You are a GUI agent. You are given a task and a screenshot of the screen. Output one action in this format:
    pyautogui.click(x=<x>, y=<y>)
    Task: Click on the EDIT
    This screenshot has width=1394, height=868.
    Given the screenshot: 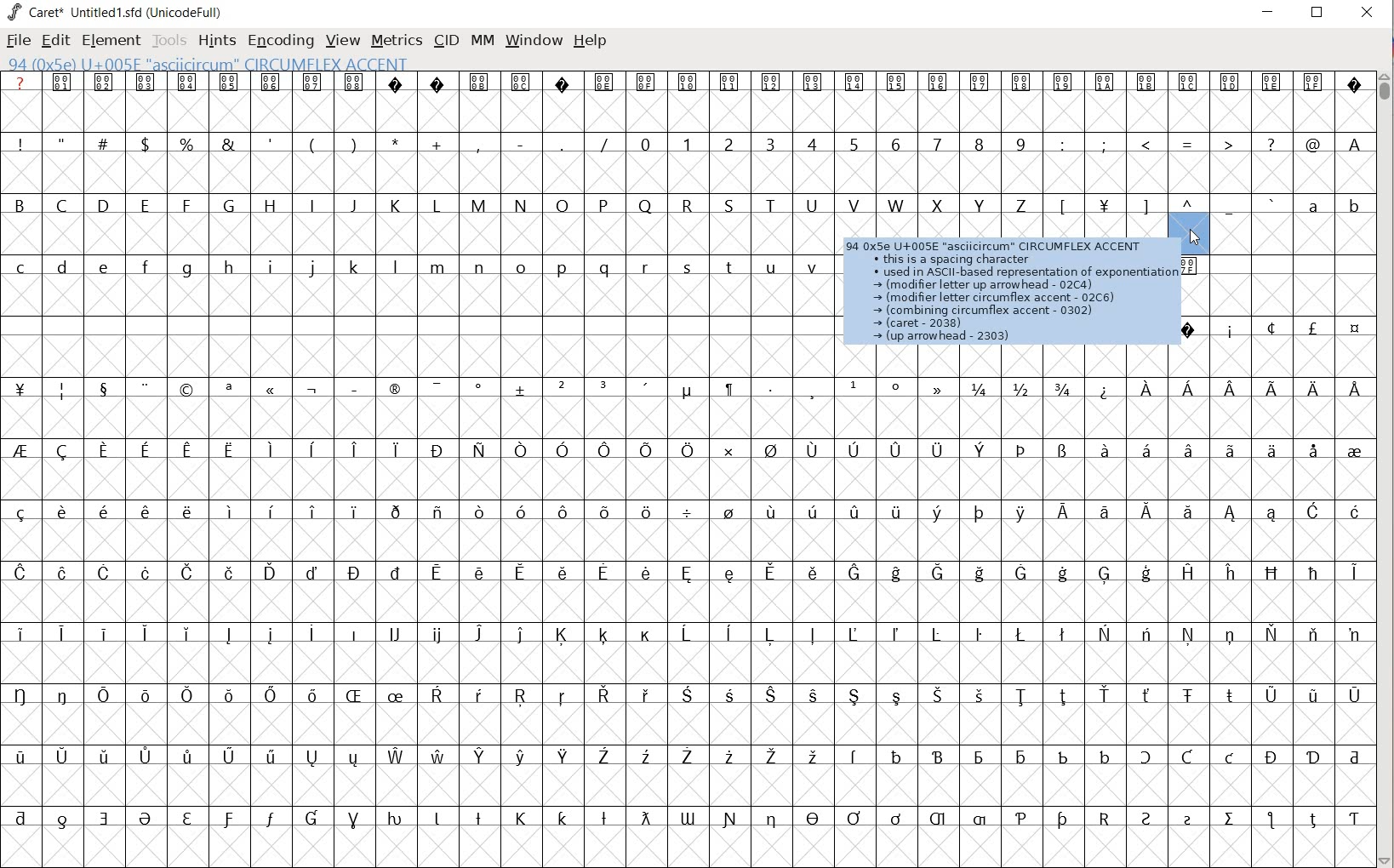 What is the action you would take?
    pyautogui.click(x=57, y=41)
    